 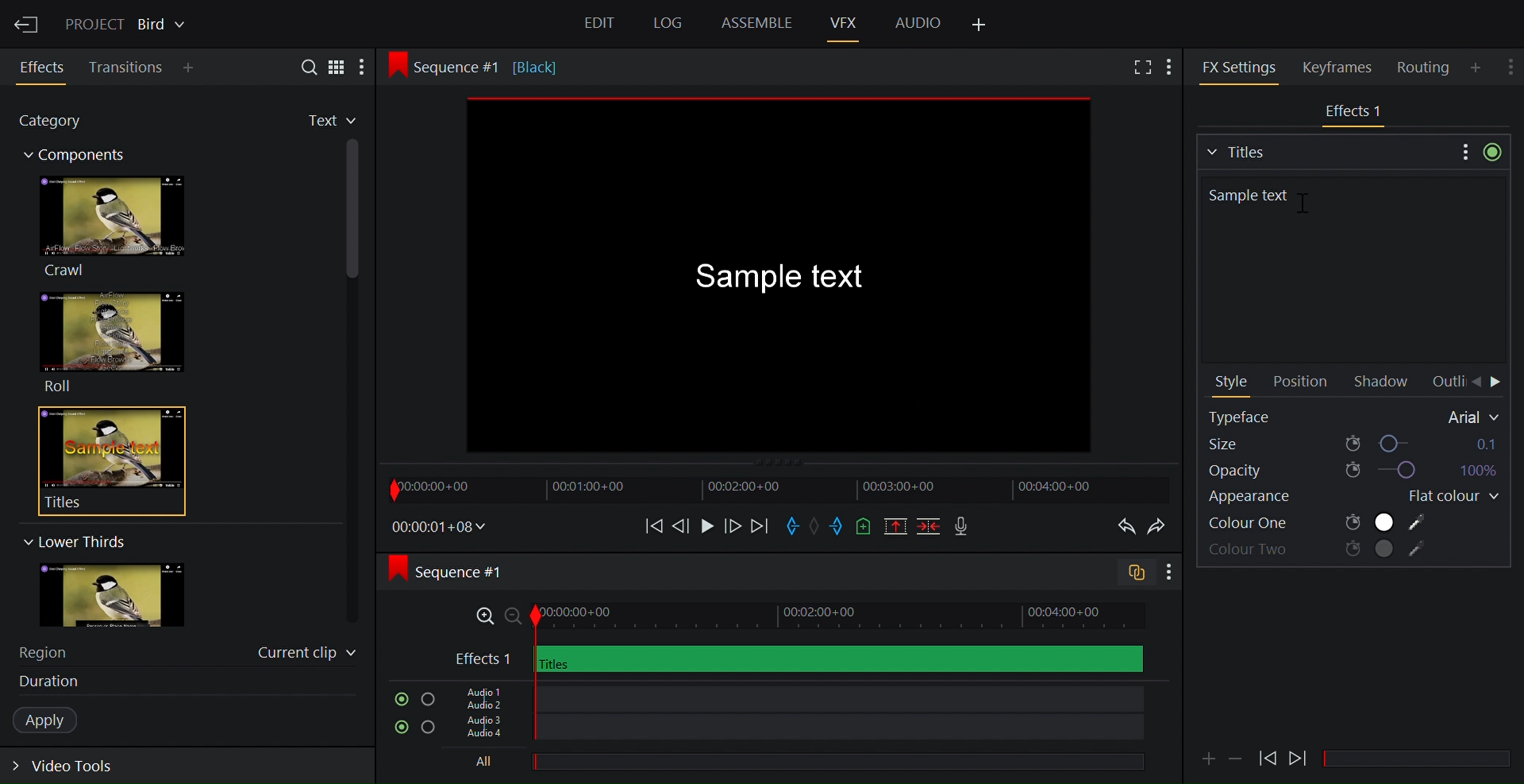 I want to click on Lower Thirs, so click(x=73, y=541).